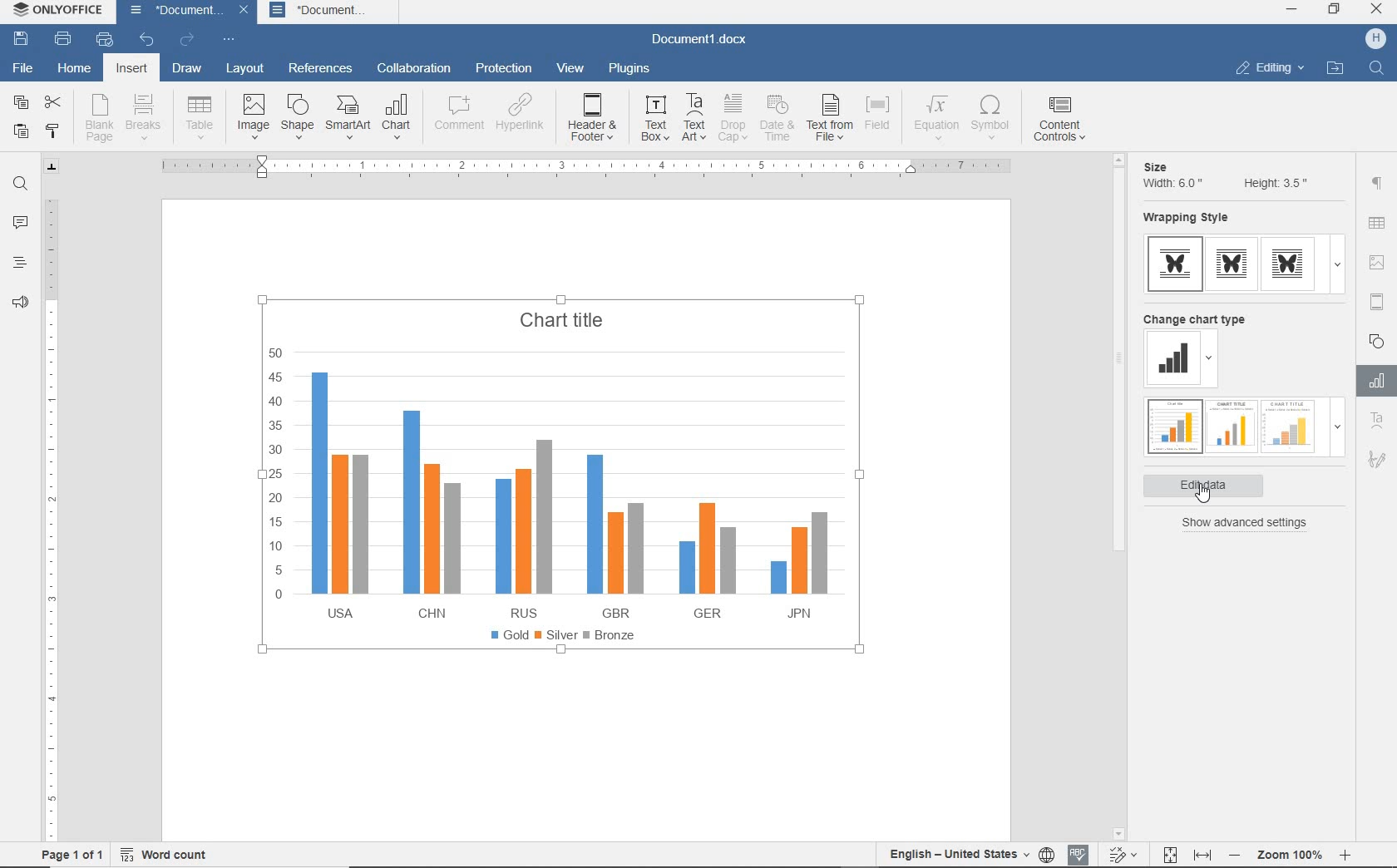 The image size is (1397, 868). What do you see at coordinates (1237, 855) in the screenshot?
I see `zoom out` at bounding box center [1237, 855].